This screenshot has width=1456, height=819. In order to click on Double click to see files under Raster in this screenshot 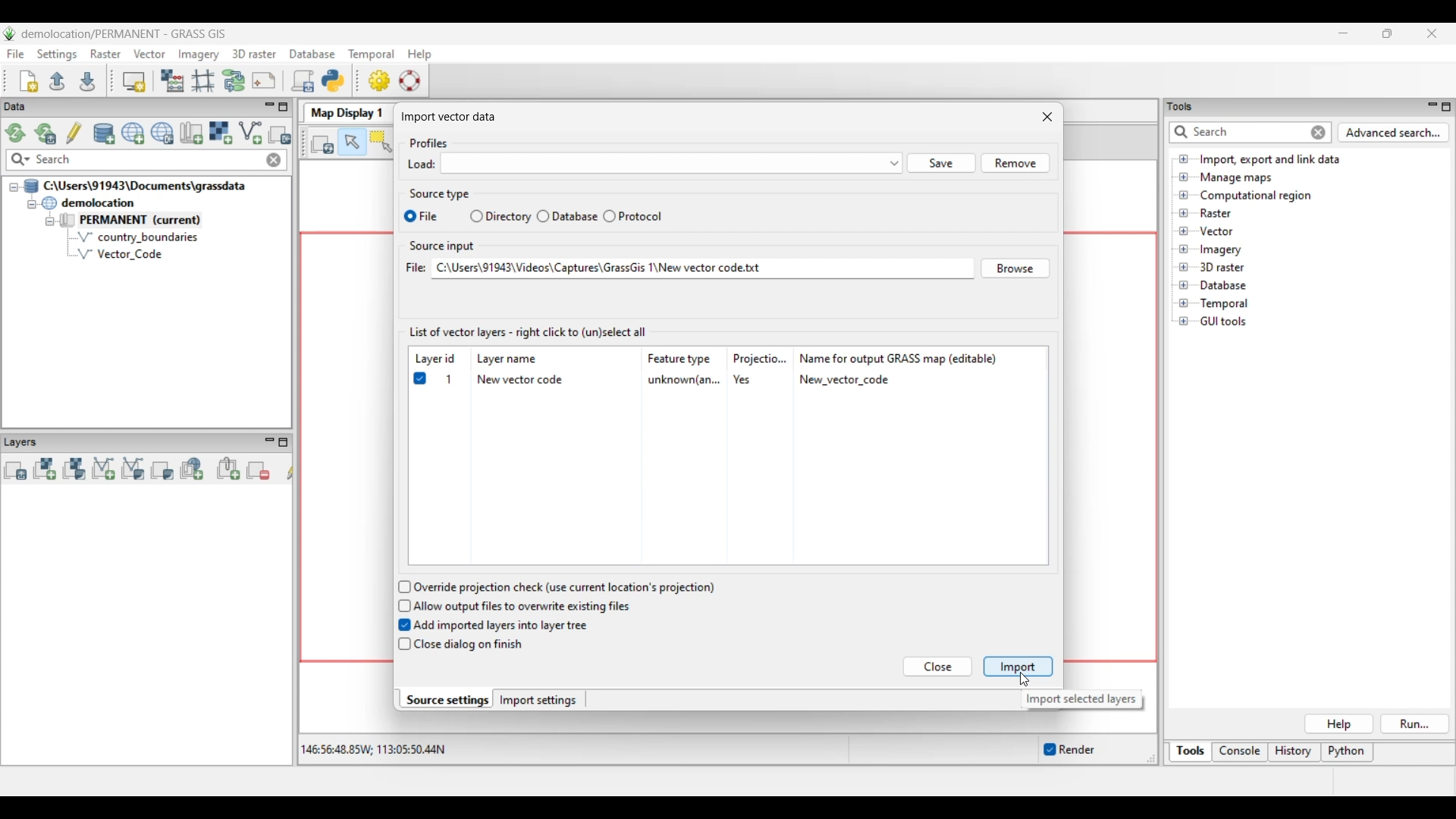, I will do `click(1216, 213)`.